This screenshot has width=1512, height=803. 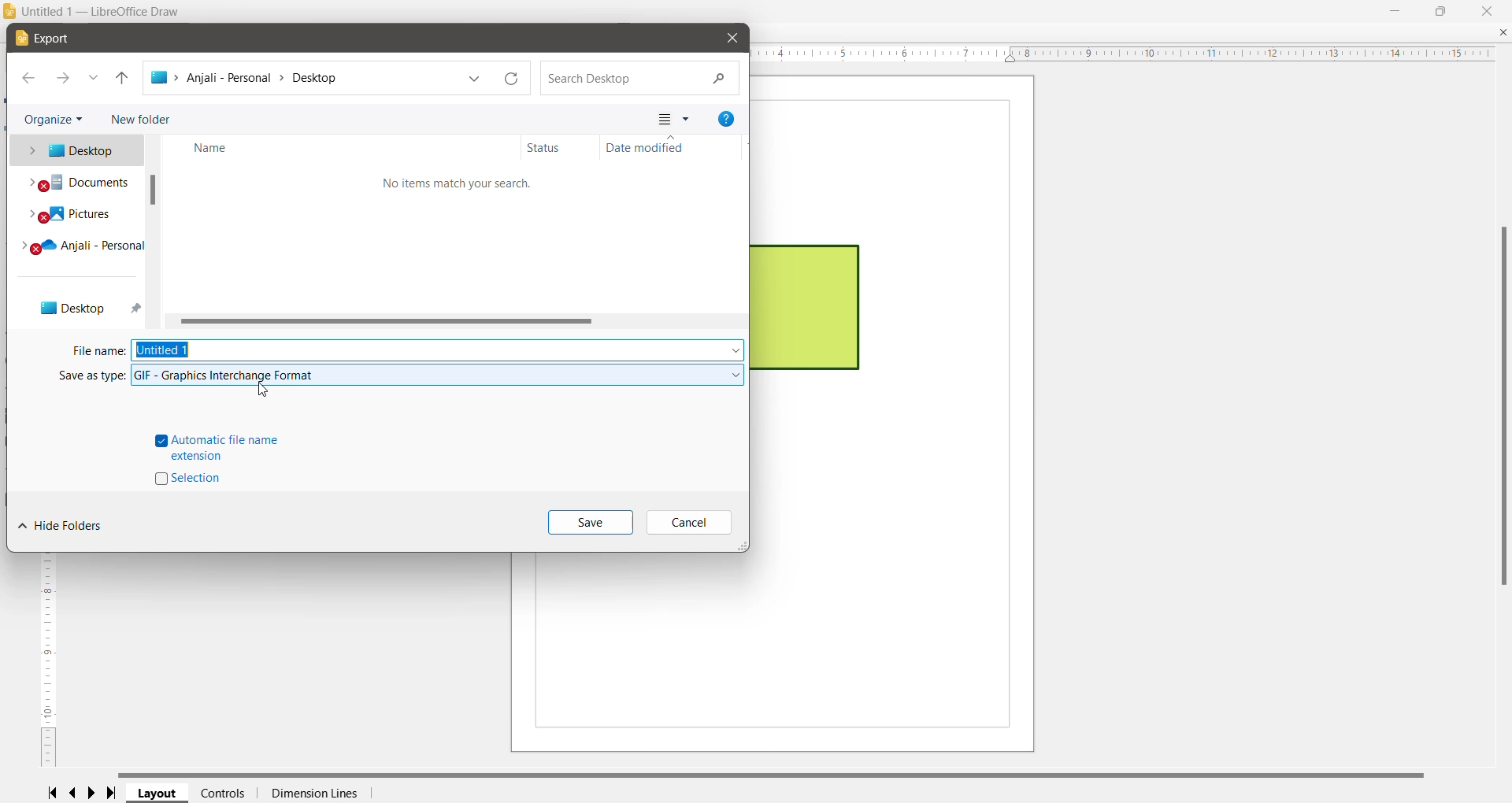 What do you see at coordinates (267, 390) in the screenshot?
I see `Cursor` at bounding box center [267, 390].